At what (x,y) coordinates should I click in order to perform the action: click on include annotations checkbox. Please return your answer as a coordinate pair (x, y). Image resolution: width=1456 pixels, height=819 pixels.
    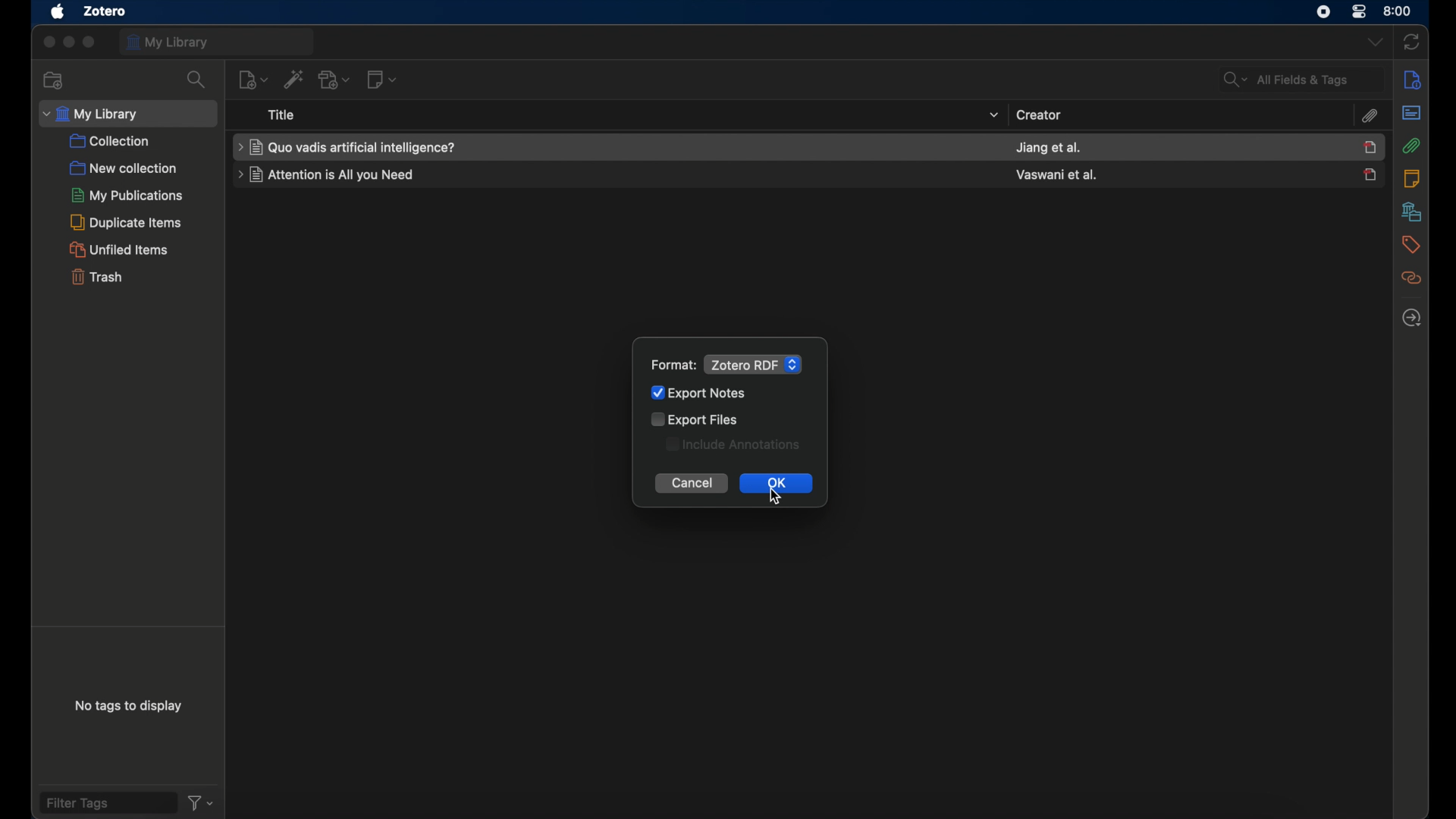
    Looking at the image, I should click on (734, 444).